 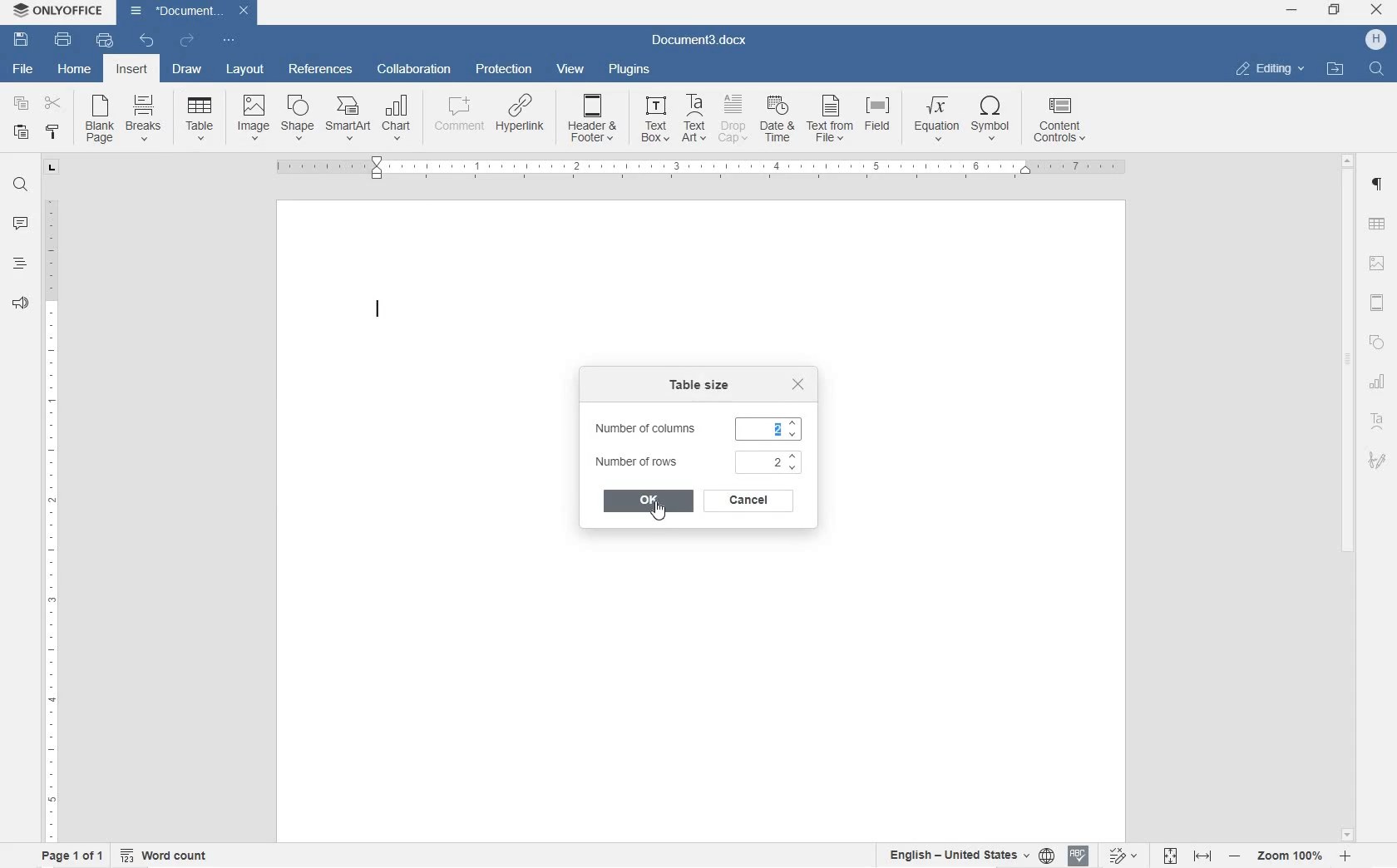 What do you see at coordinates (779, 121) in the screenshot?
I see `Date & Time` at bounding box center [779, 121].